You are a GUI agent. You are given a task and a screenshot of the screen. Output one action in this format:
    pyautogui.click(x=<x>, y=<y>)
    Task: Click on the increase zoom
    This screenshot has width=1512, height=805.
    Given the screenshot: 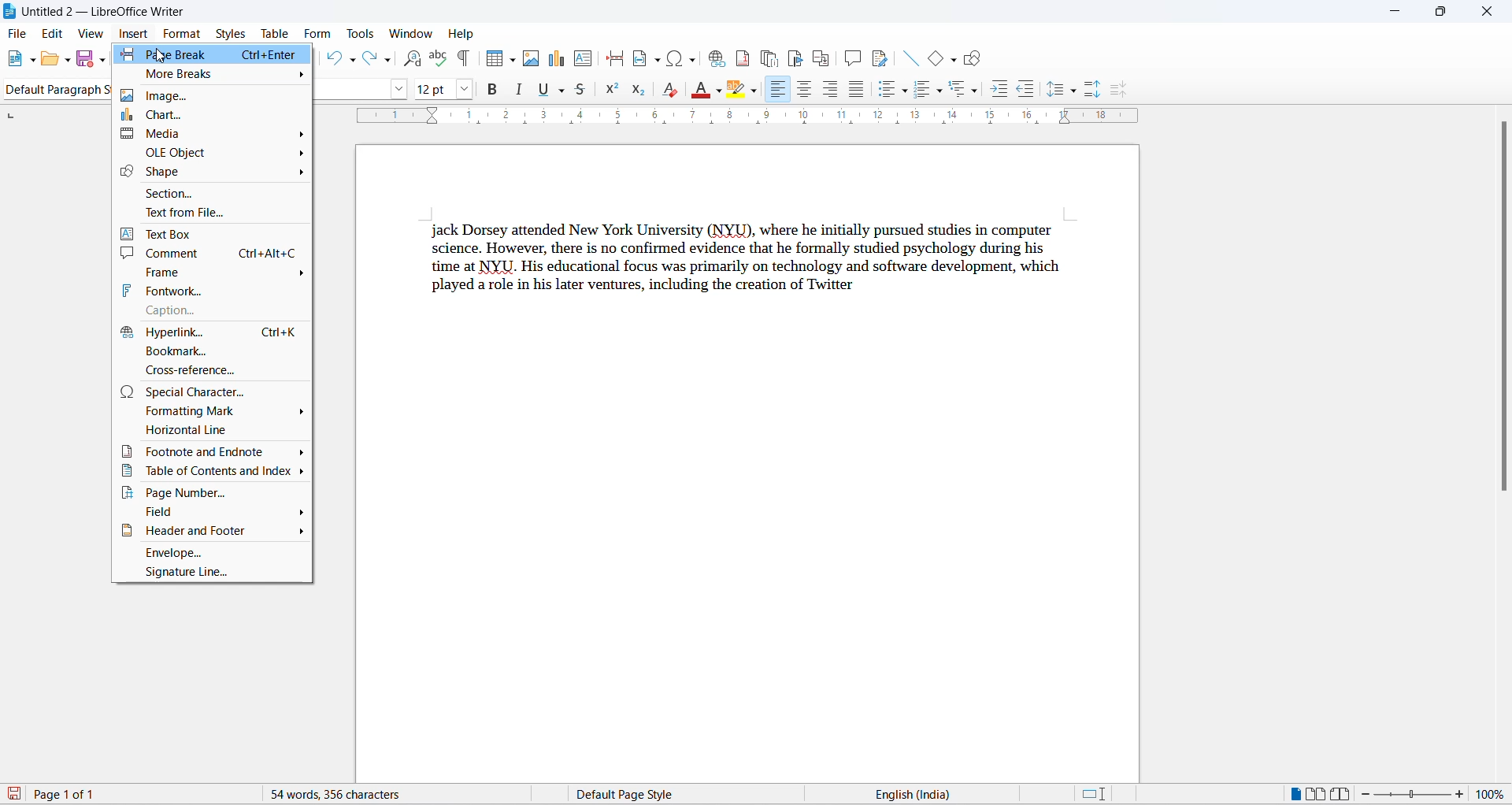 What is the action you would take?
    pyautogui.click(x=1463, y=797)
    